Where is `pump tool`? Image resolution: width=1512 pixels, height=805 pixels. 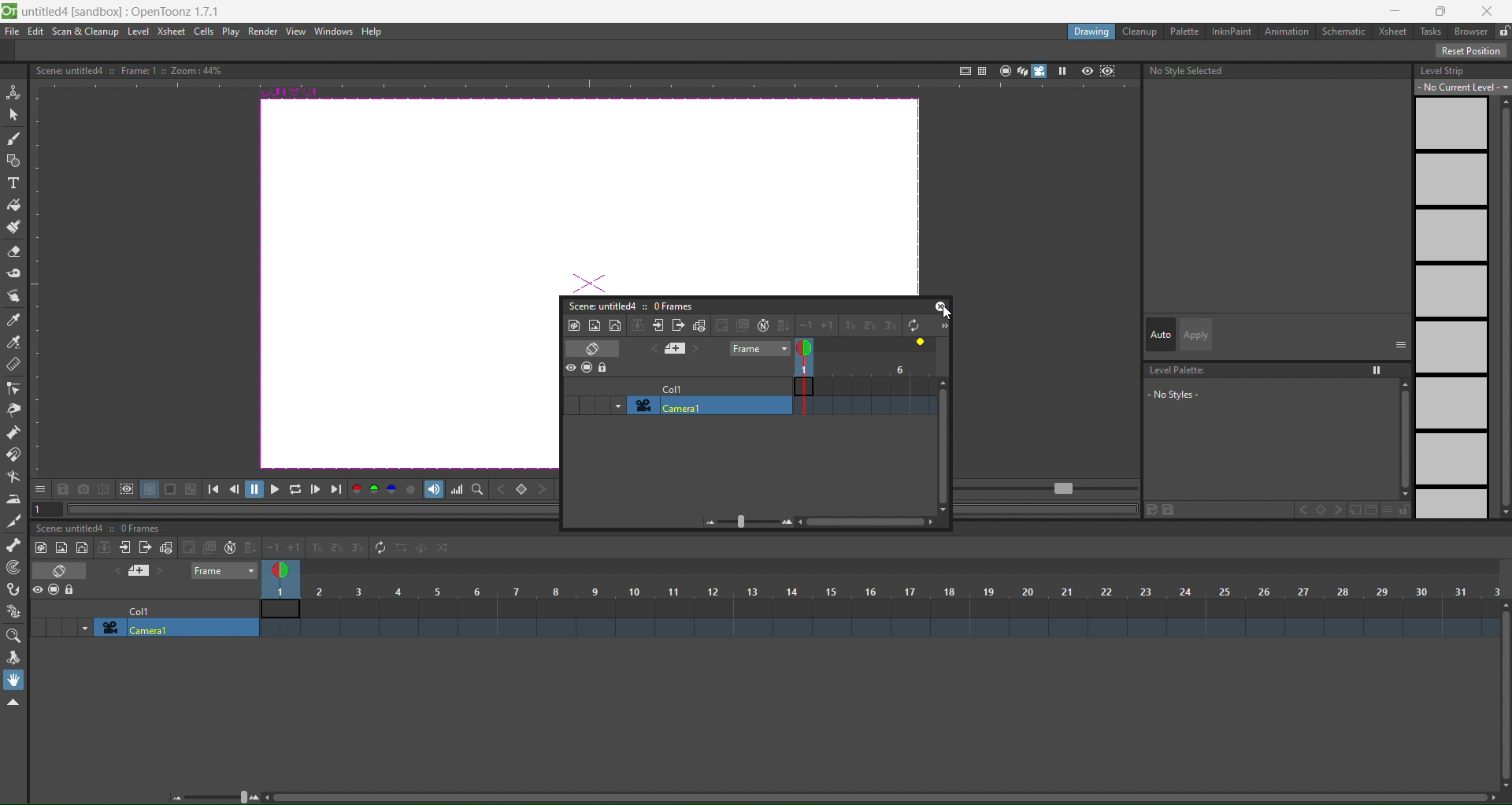
pump tool is located at coordinates (15, 432).